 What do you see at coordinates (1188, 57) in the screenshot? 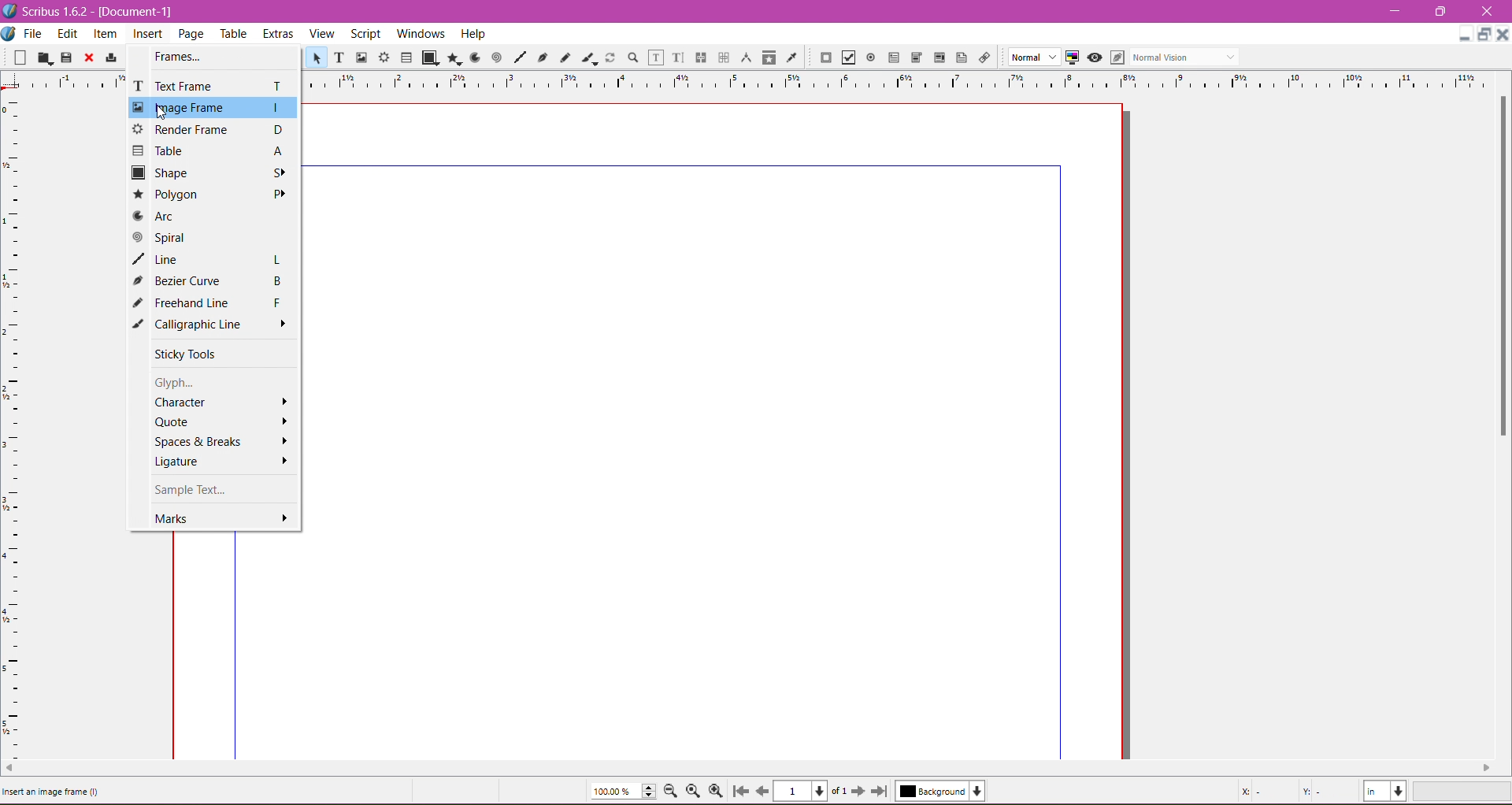
I see `Select visual appearance of the display` at bounding box center [1188, 57].